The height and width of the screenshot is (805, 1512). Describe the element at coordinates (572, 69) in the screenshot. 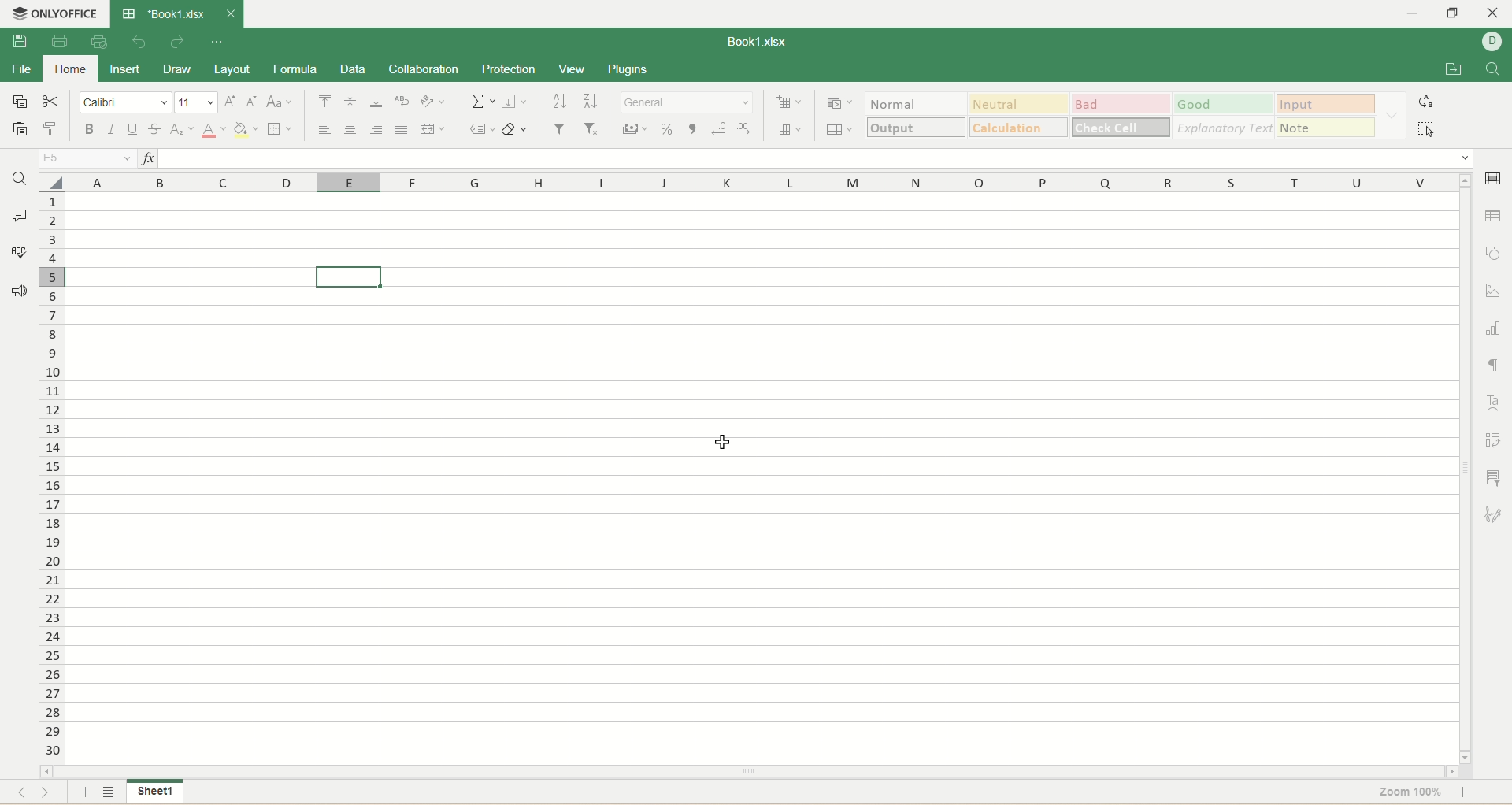

I see `view` at that location.